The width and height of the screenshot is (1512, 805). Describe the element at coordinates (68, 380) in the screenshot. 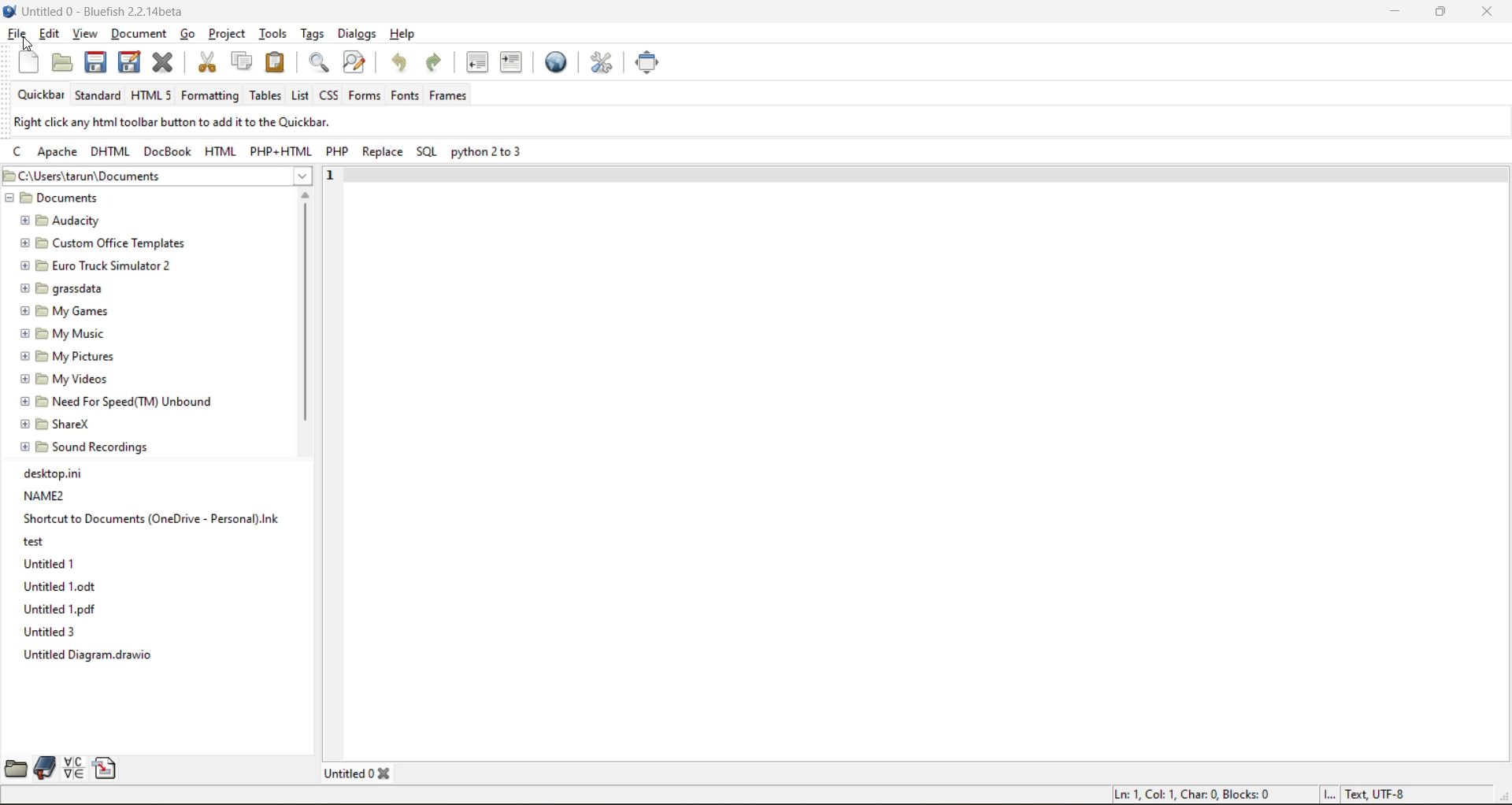

I see `My Videos` at that location.